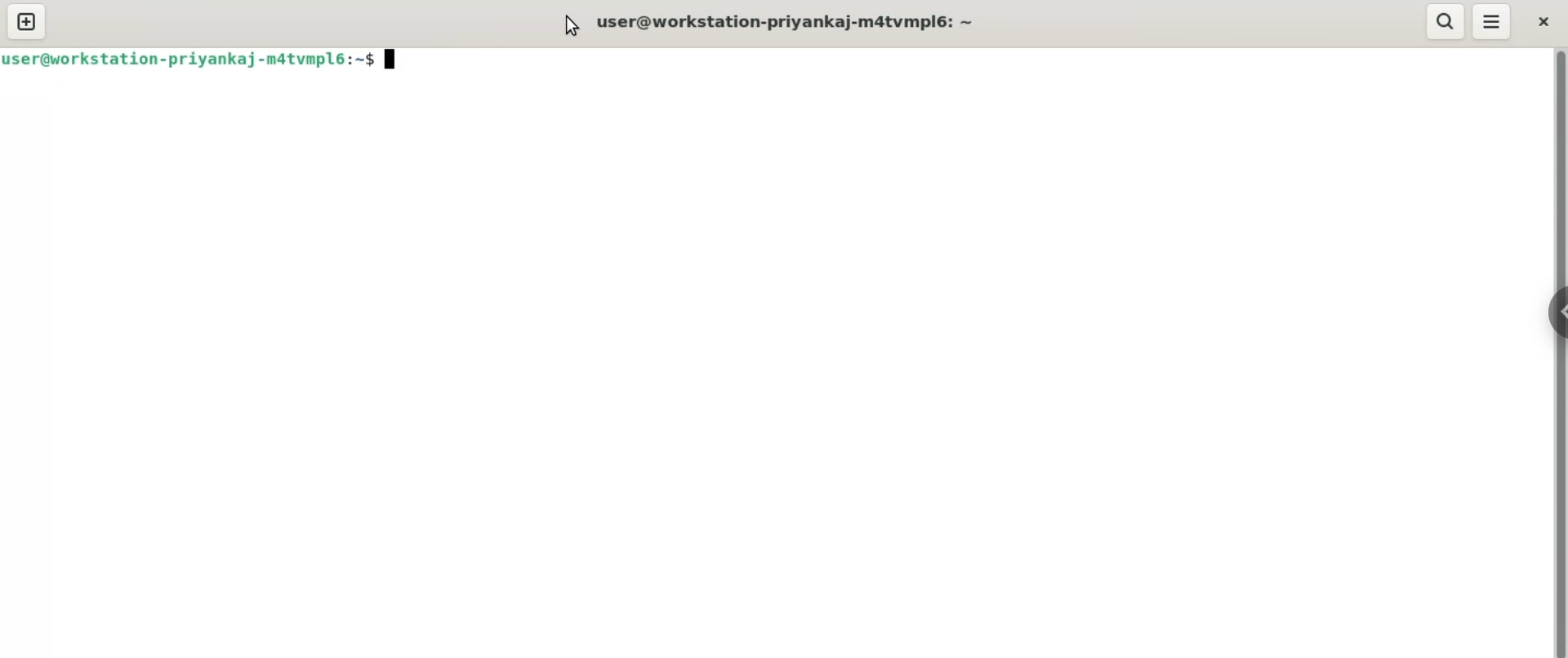 The height and width of the screenshot is (658, 1568). I want to click on new tab, so click(30, 21).